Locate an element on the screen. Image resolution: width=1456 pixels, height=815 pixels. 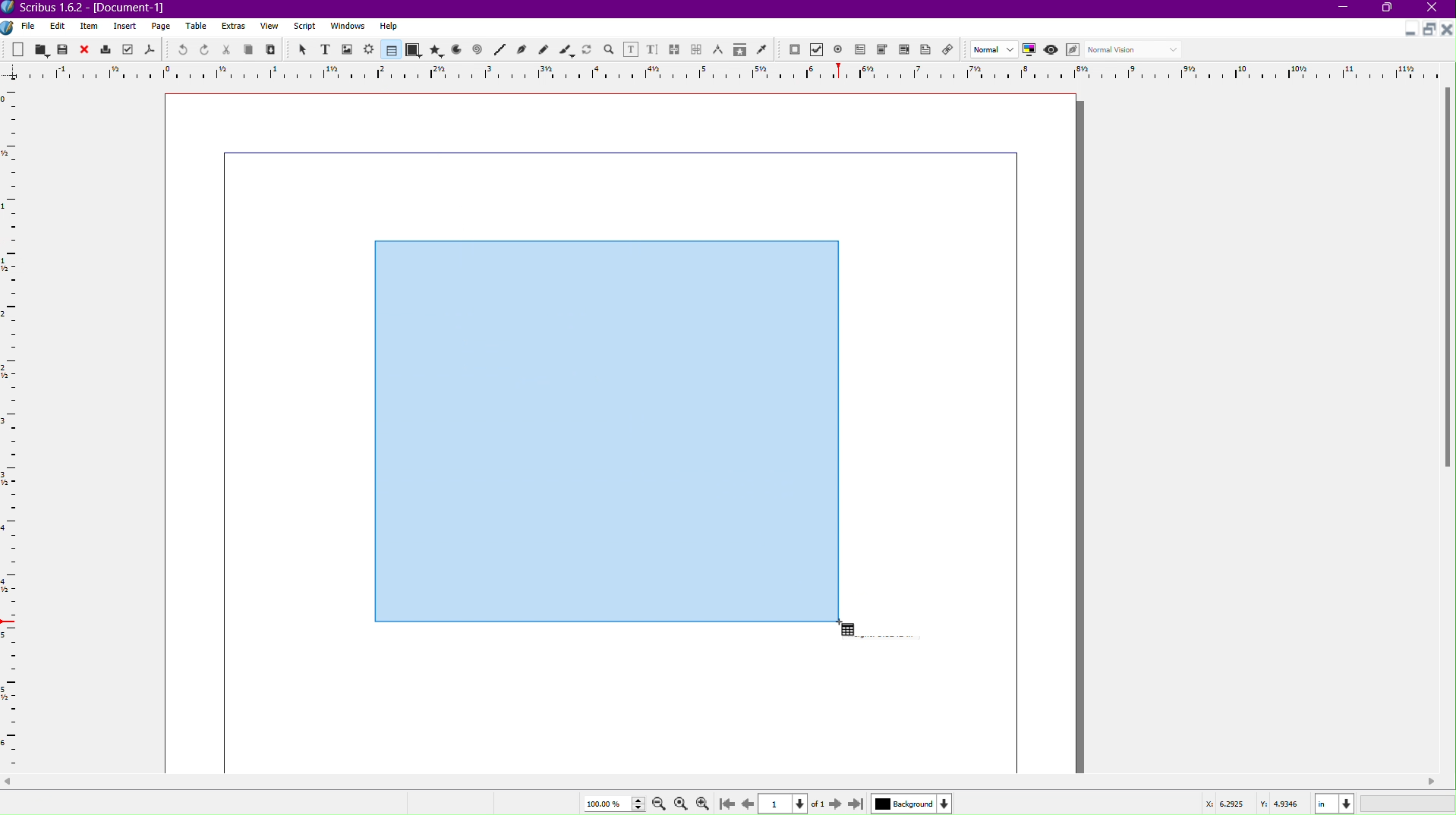
Ruler Line is located at coordinates (728, 71).